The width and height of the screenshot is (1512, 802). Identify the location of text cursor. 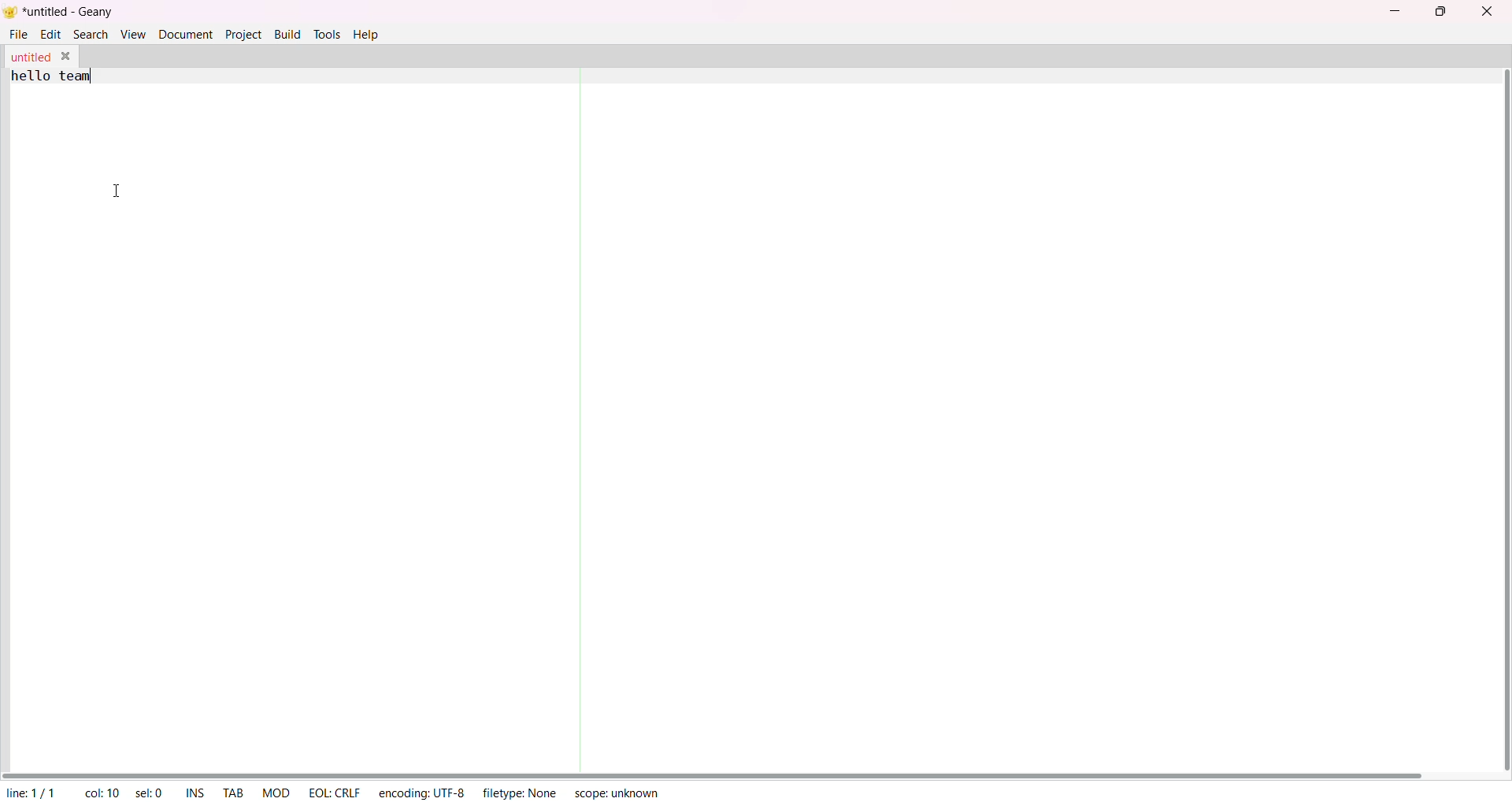
(119, 192).